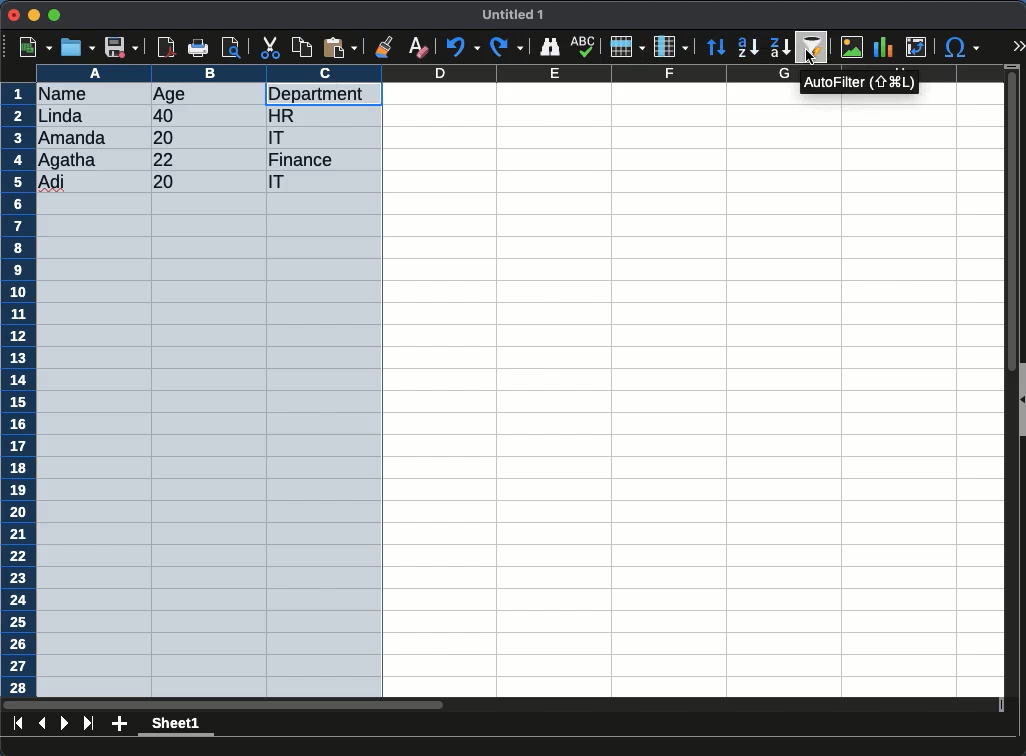  I want to click on untitled 1, so click(514, 15).